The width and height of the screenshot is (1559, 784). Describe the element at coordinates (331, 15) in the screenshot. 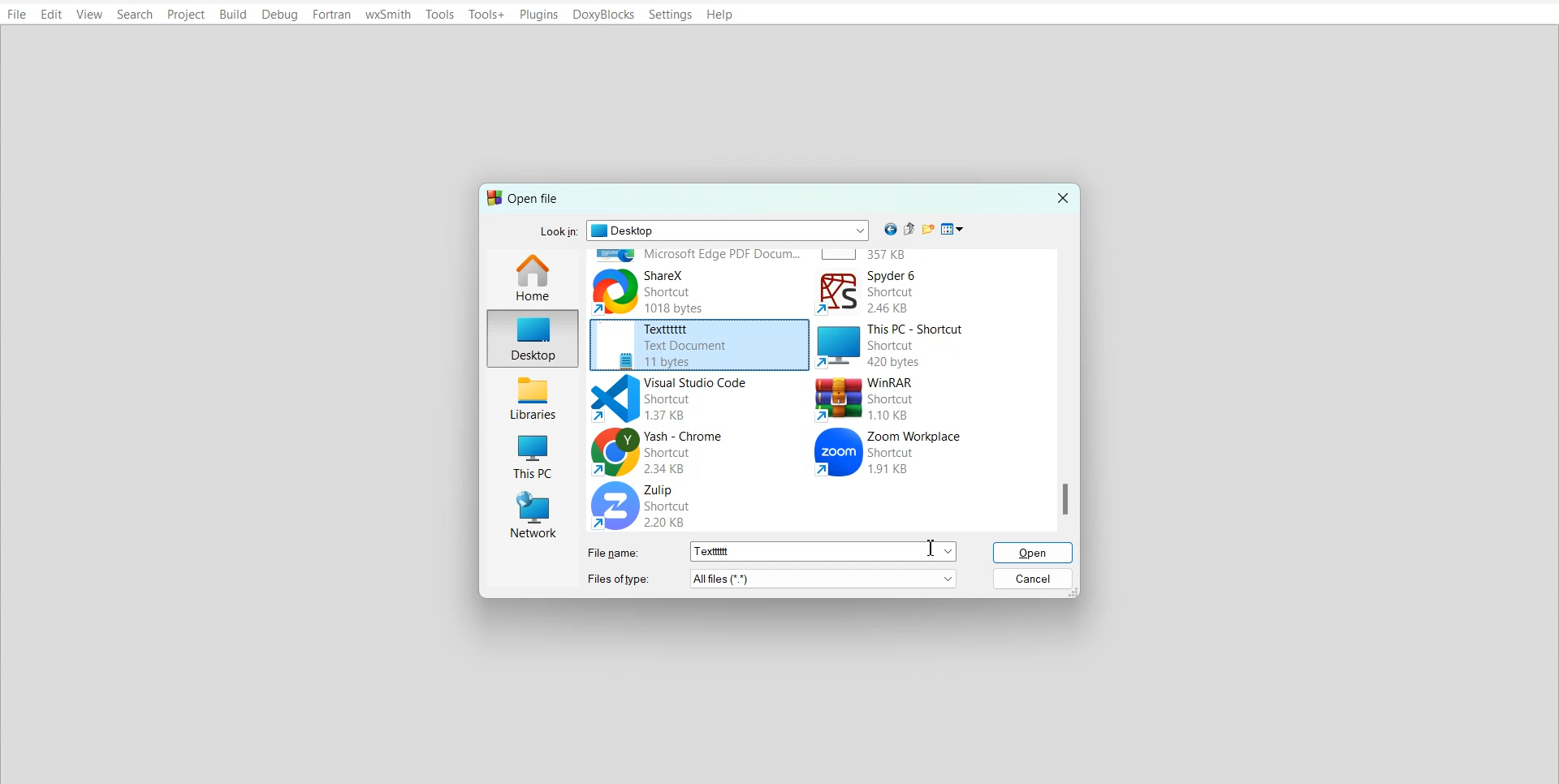

I see `Fortran` at that location.